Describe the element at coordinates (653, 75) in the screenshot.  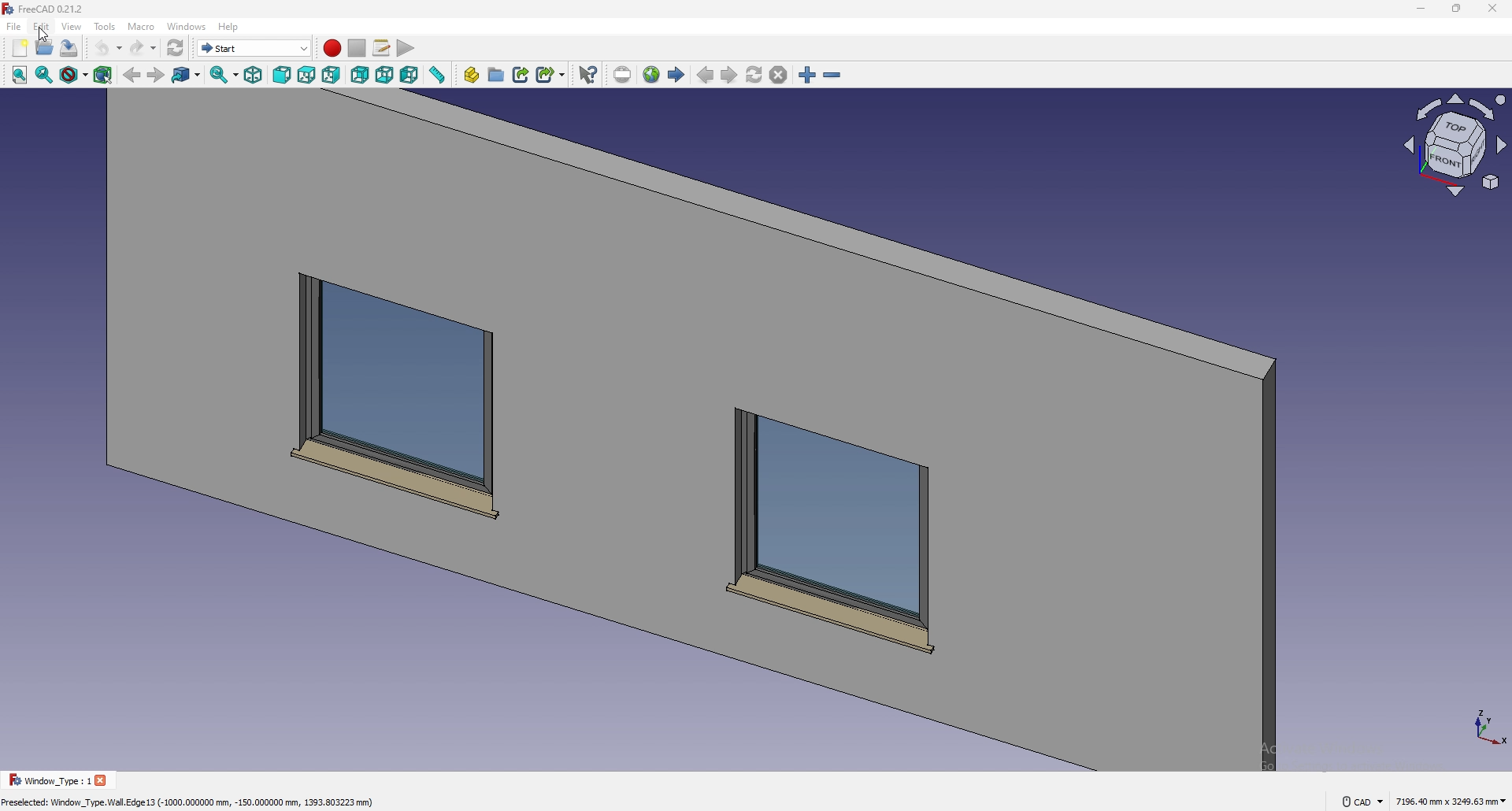
I see `open website` at that location.